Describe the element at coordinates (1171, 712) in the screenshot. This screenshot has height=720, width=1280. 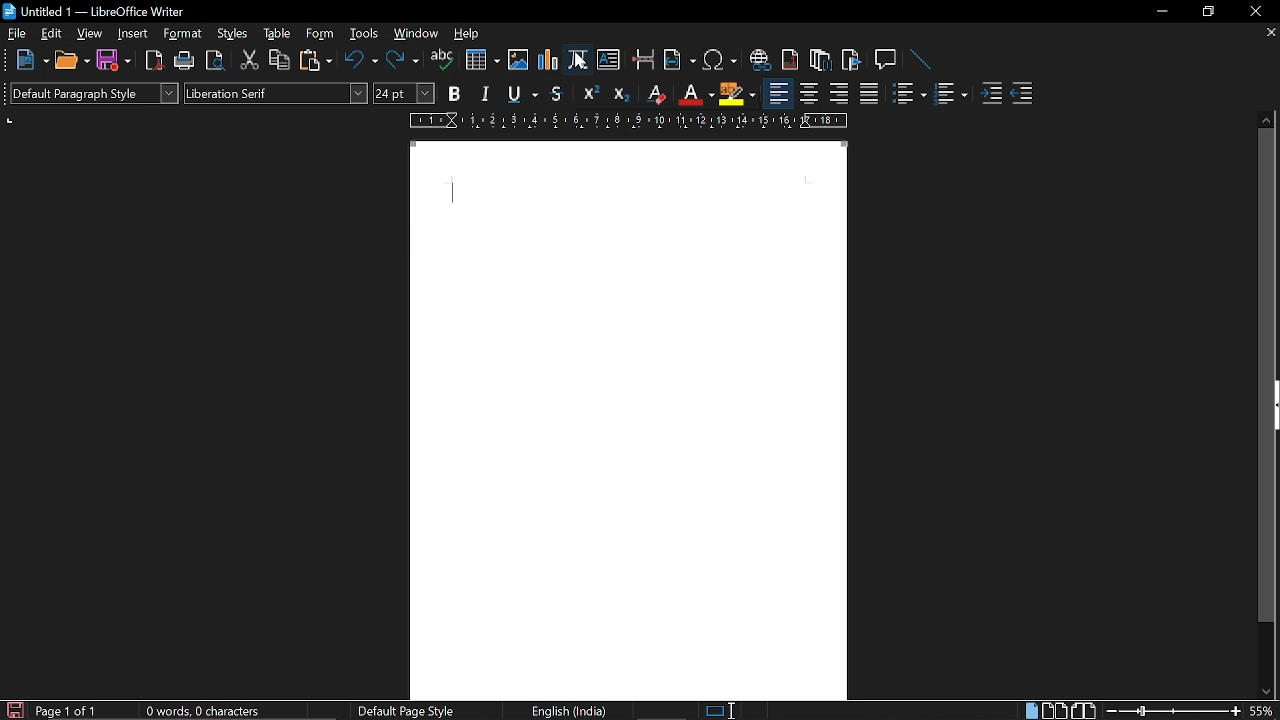
I see `change zoom` at that location.